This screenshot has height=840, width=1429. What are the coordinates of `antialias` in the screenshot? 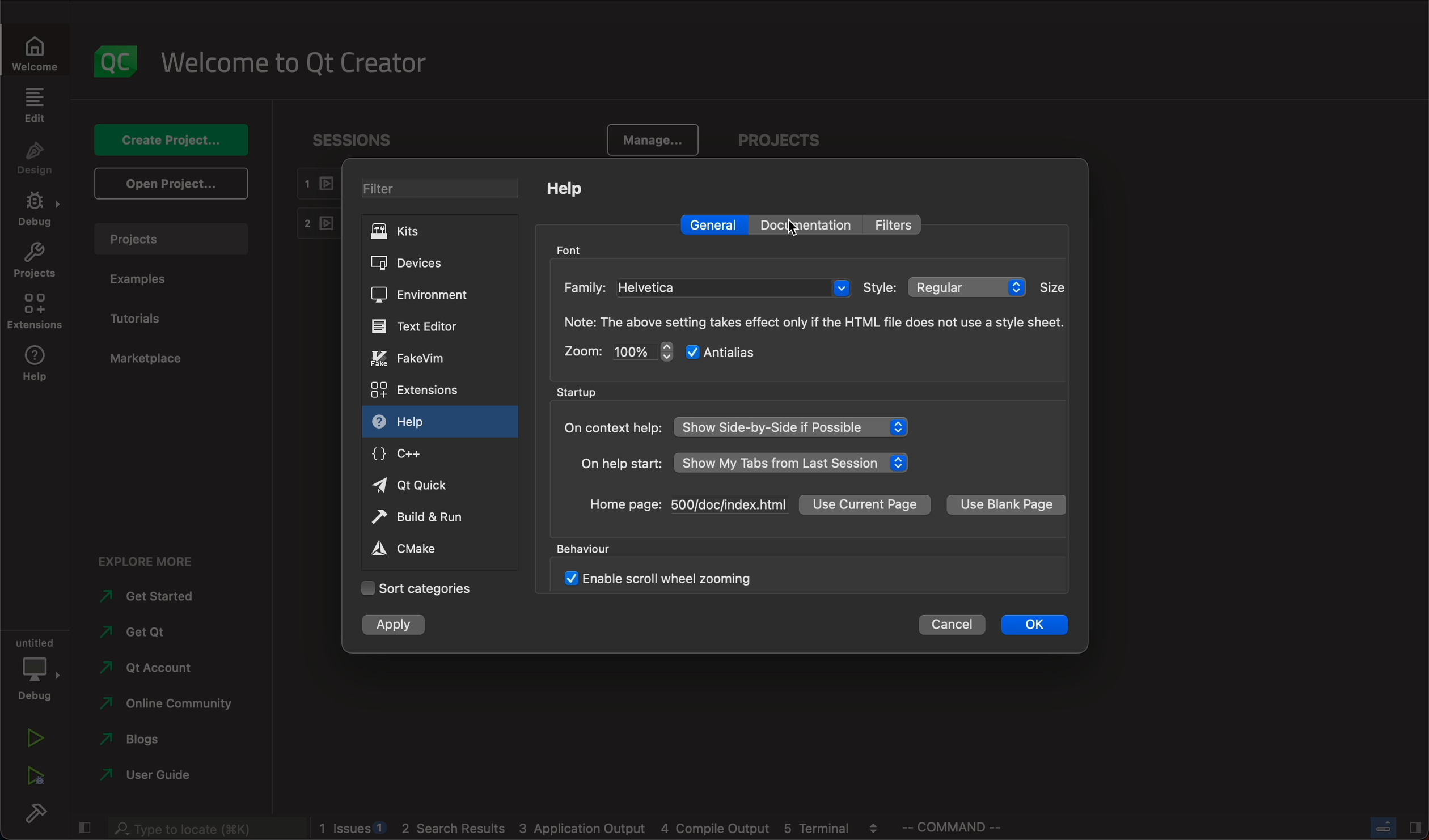 It's located at (735, 351).